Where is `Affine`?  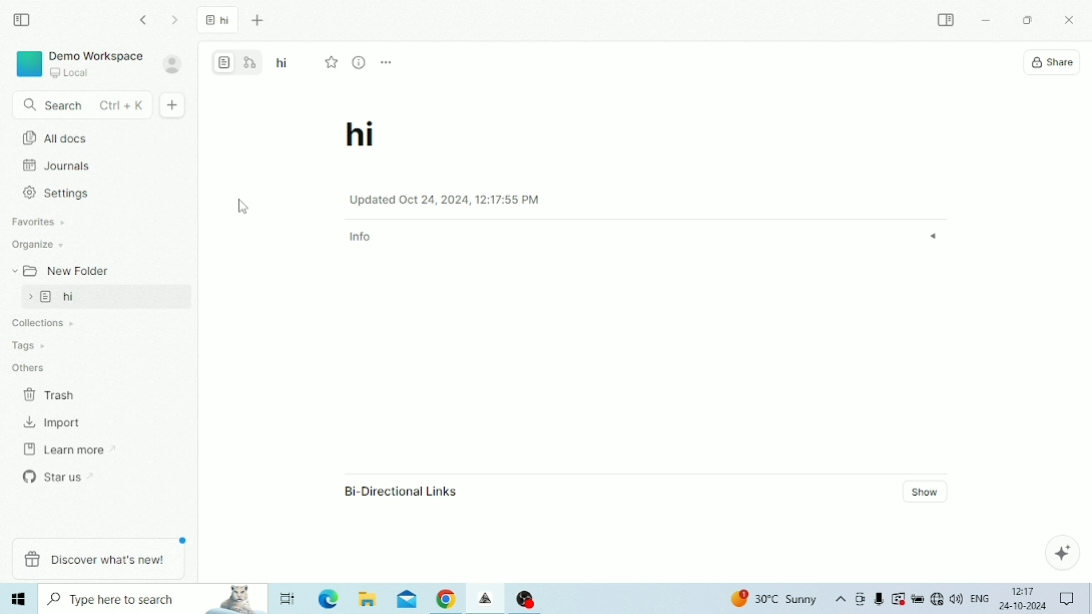
Affine is located at coordinates (487, 599).